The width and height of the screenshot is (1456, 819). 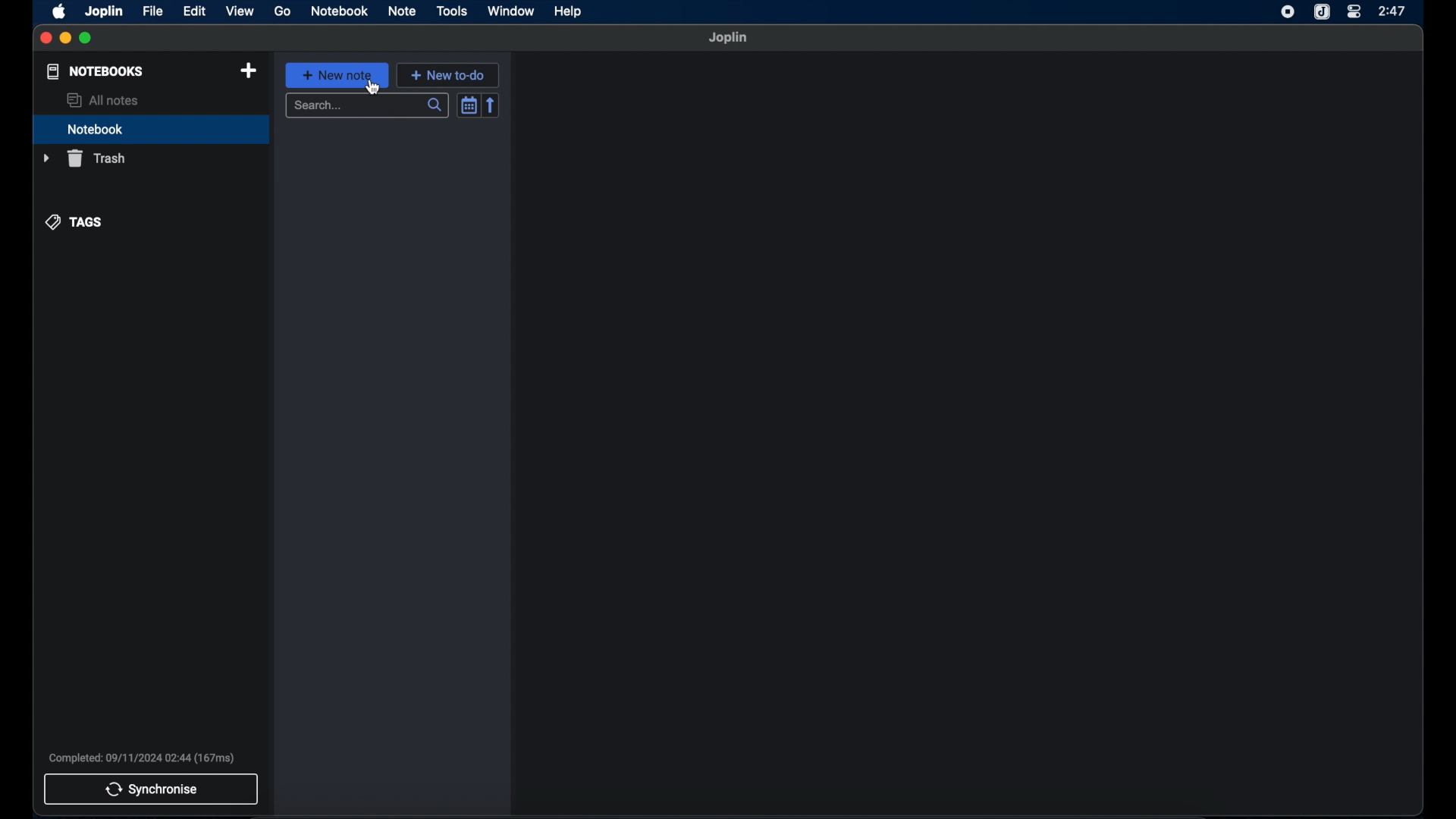 What do you see at coordinates (339, 11) in the screenshot?
I see `notebook` at bounding box center [339, 11].